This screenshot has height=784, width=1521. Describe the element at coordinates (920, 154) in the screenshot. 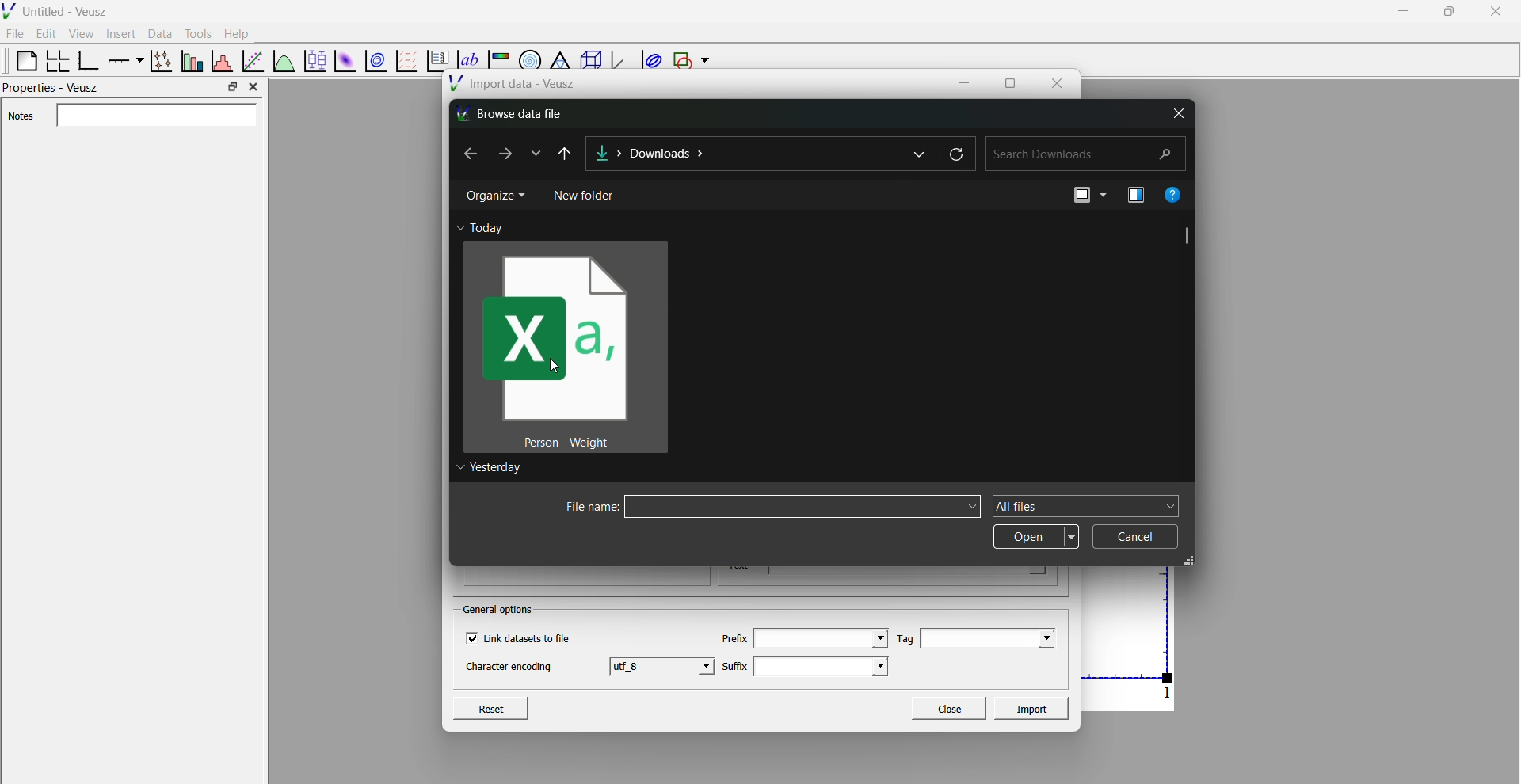

I see `dropdown` at that location.